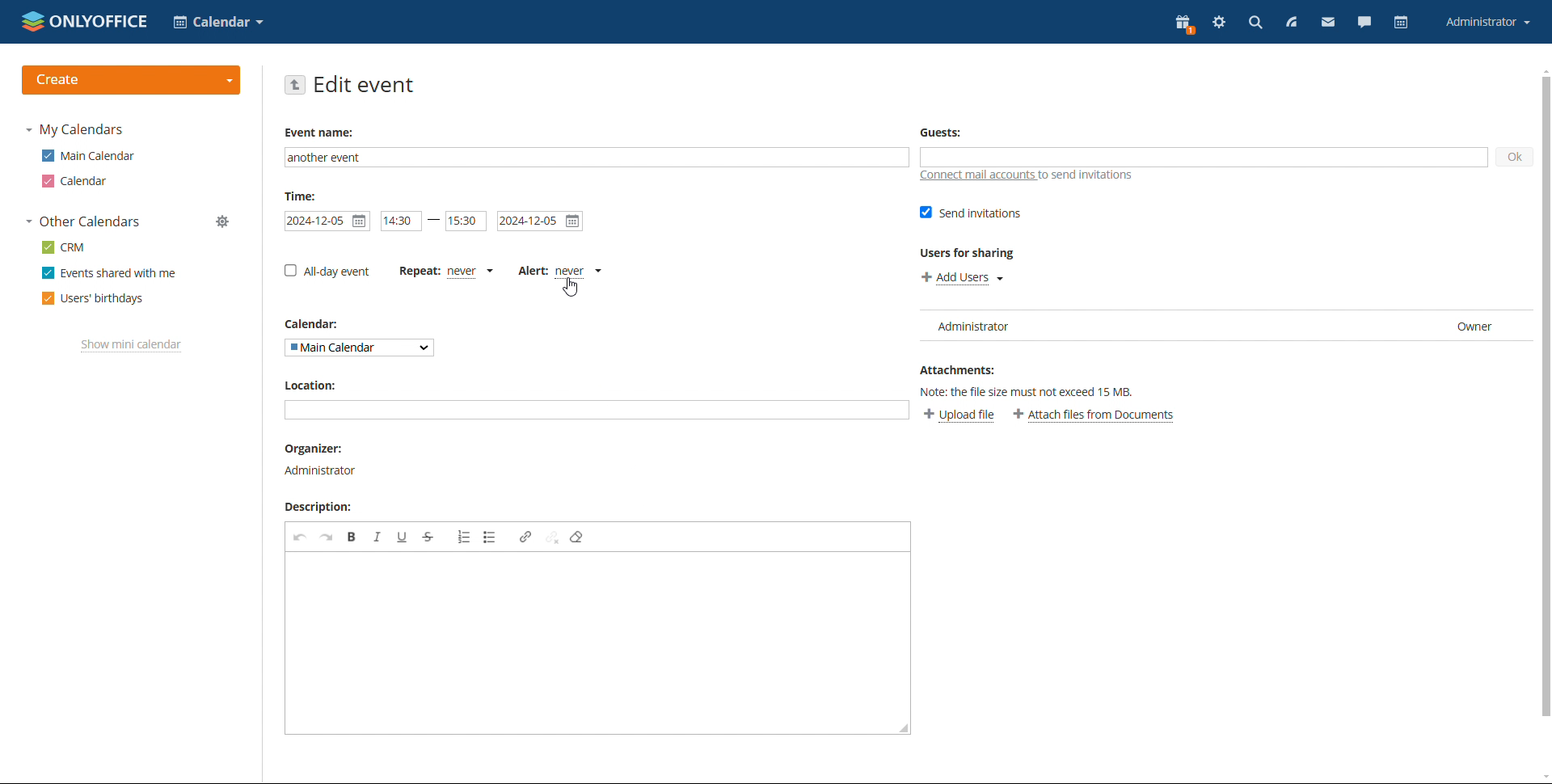  I want to click on go back, so click(293, 85).